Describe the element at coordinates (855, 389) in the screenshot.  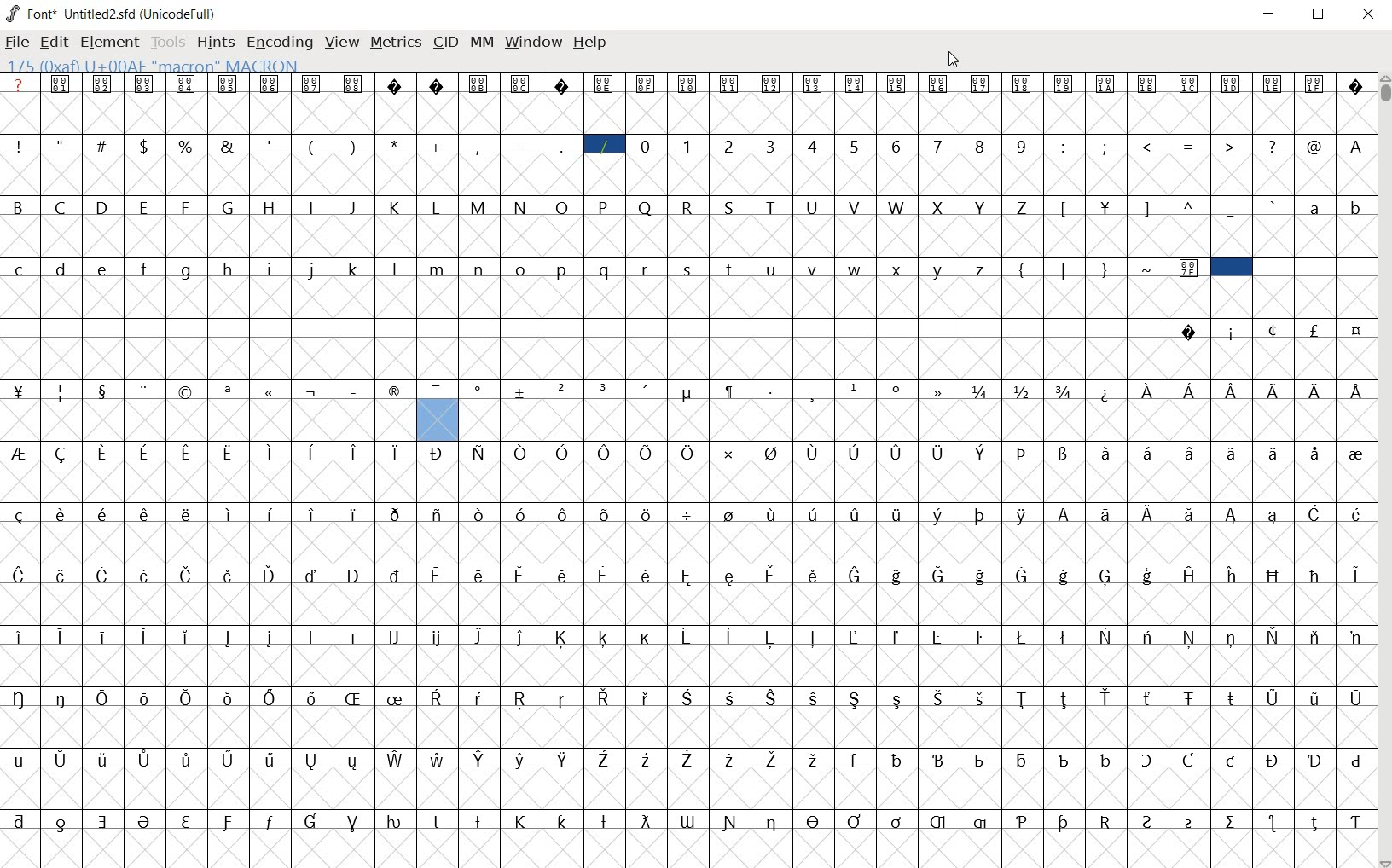
I see `Symbol` at that location.